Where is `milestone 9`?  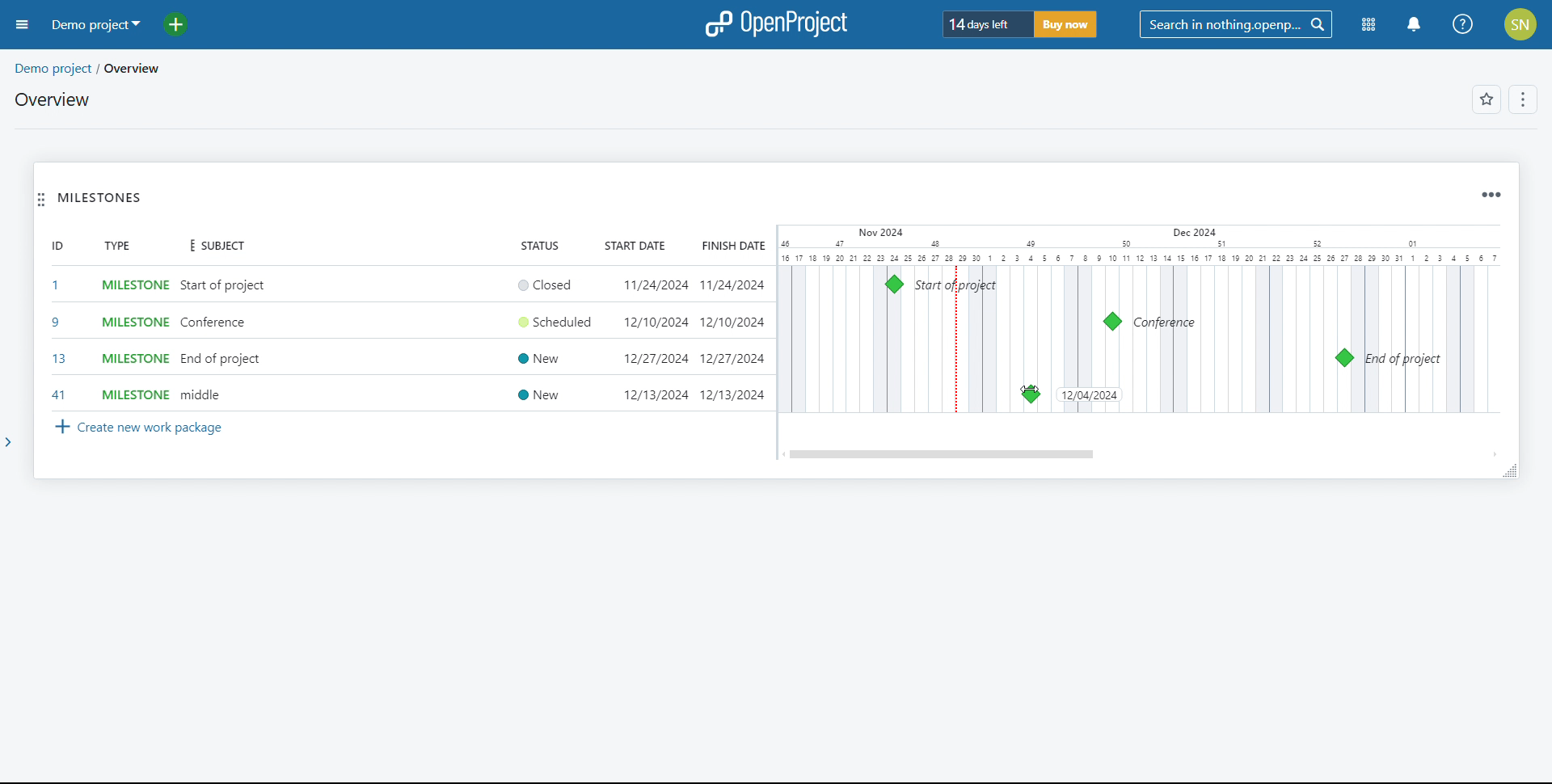 milestone 9 is located at coordinates (1112, 322).